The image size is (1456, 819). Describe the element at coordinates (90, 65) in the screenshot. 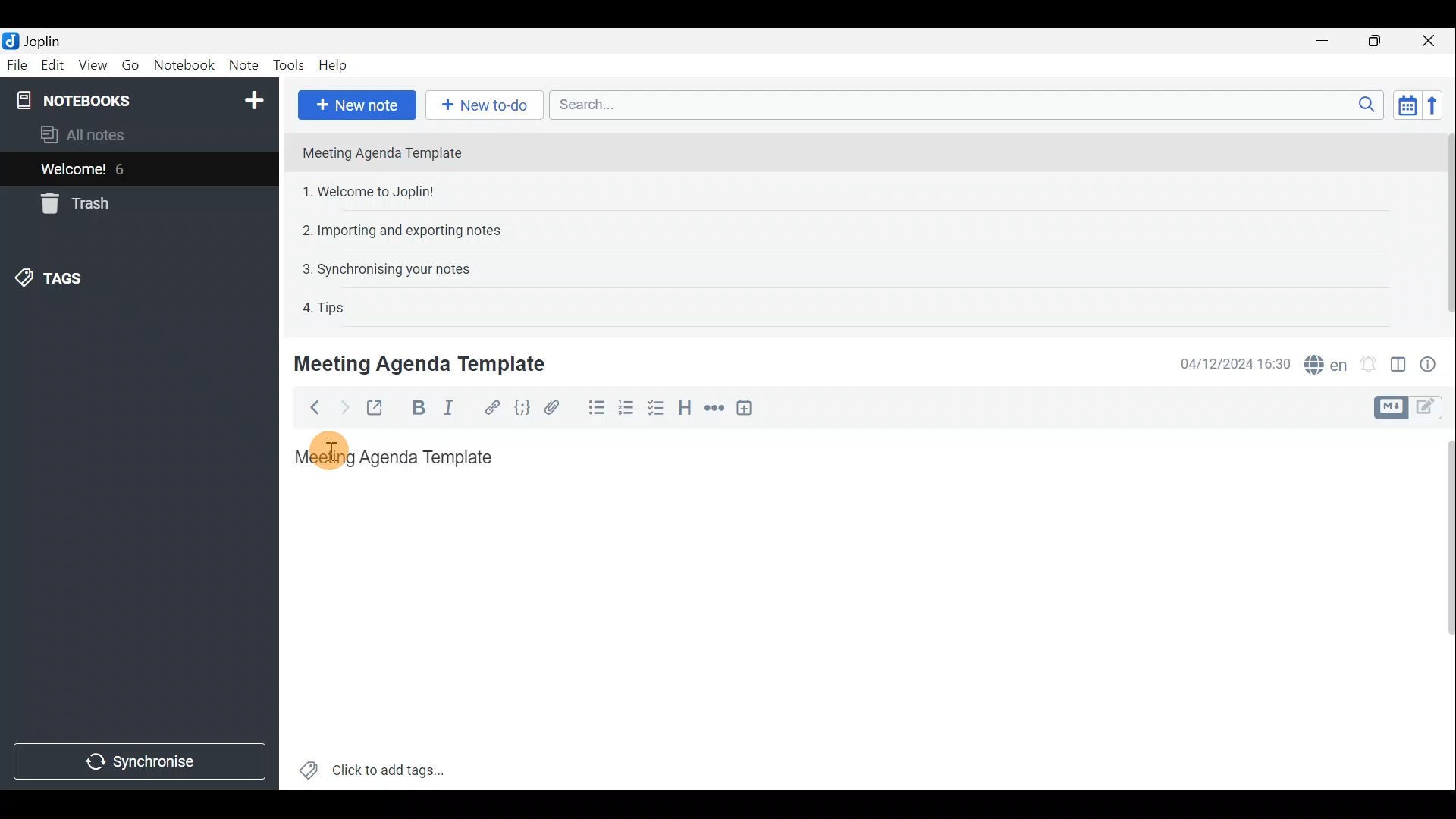

I see `View` at that location.